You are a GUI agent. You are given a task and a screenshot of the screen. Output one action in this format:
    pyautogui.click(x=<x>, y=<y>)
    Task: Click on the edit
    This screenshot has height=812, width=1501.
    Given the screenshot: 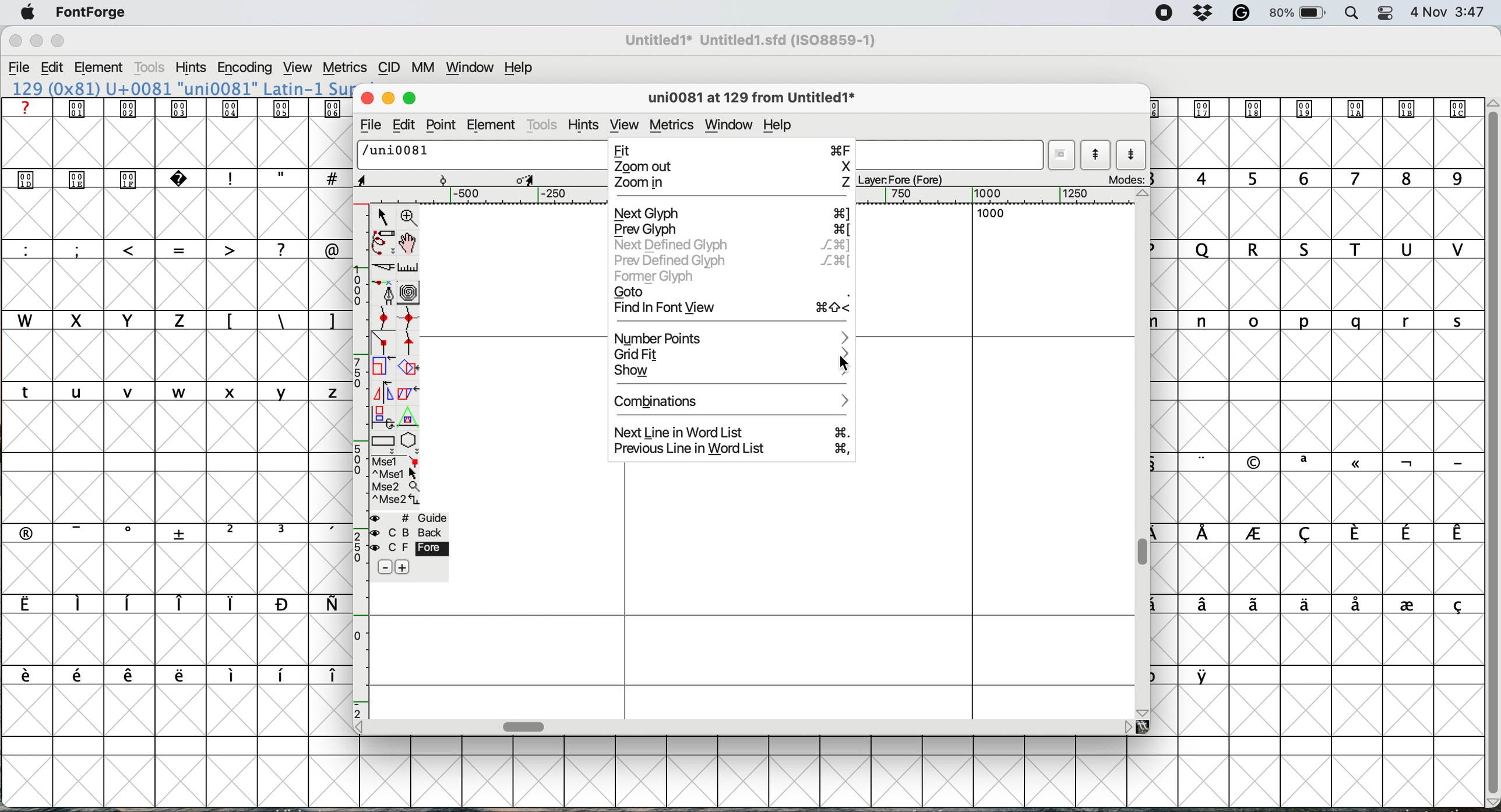 What is the action you would take?
    pyautogui.click(x=404, y=126)
    